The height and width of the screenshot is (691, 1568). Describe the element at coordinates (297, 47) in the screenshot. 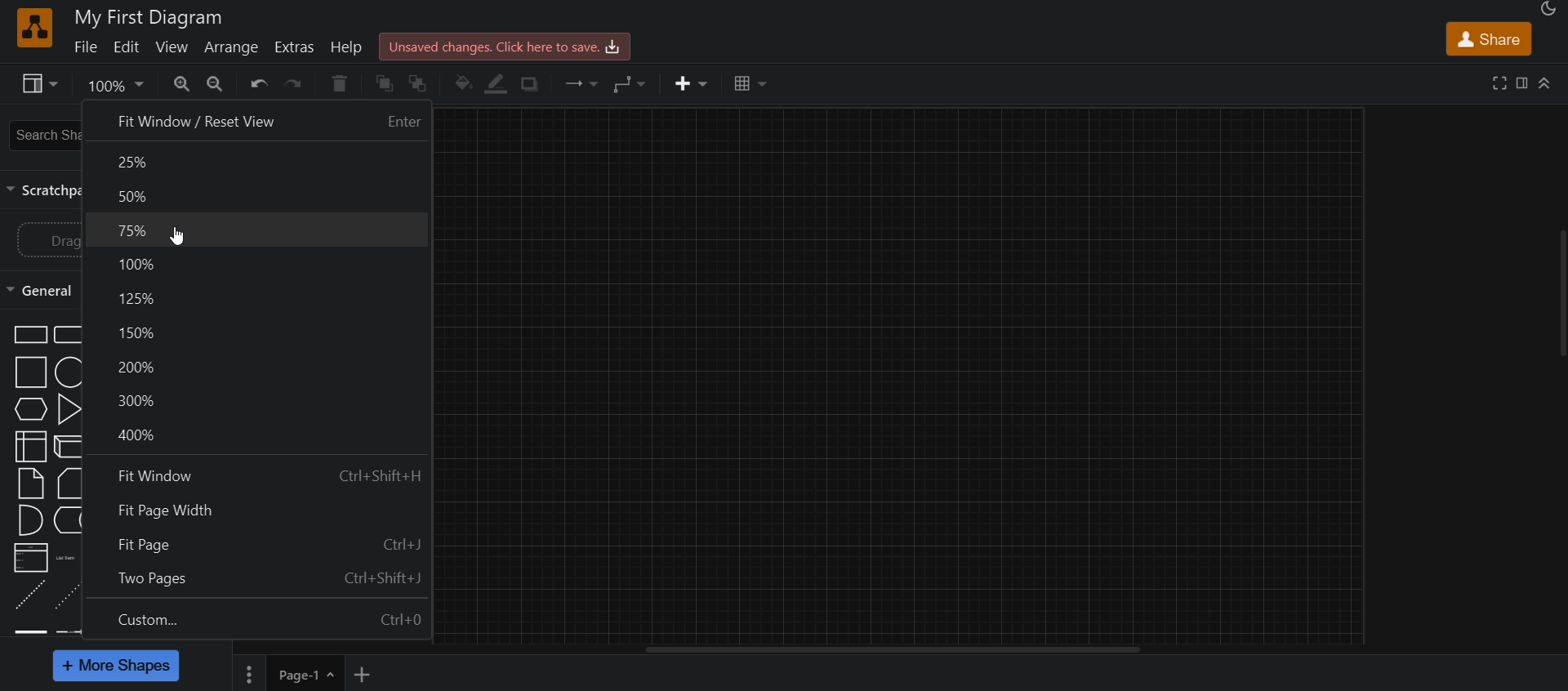

I see `extras` at that location.